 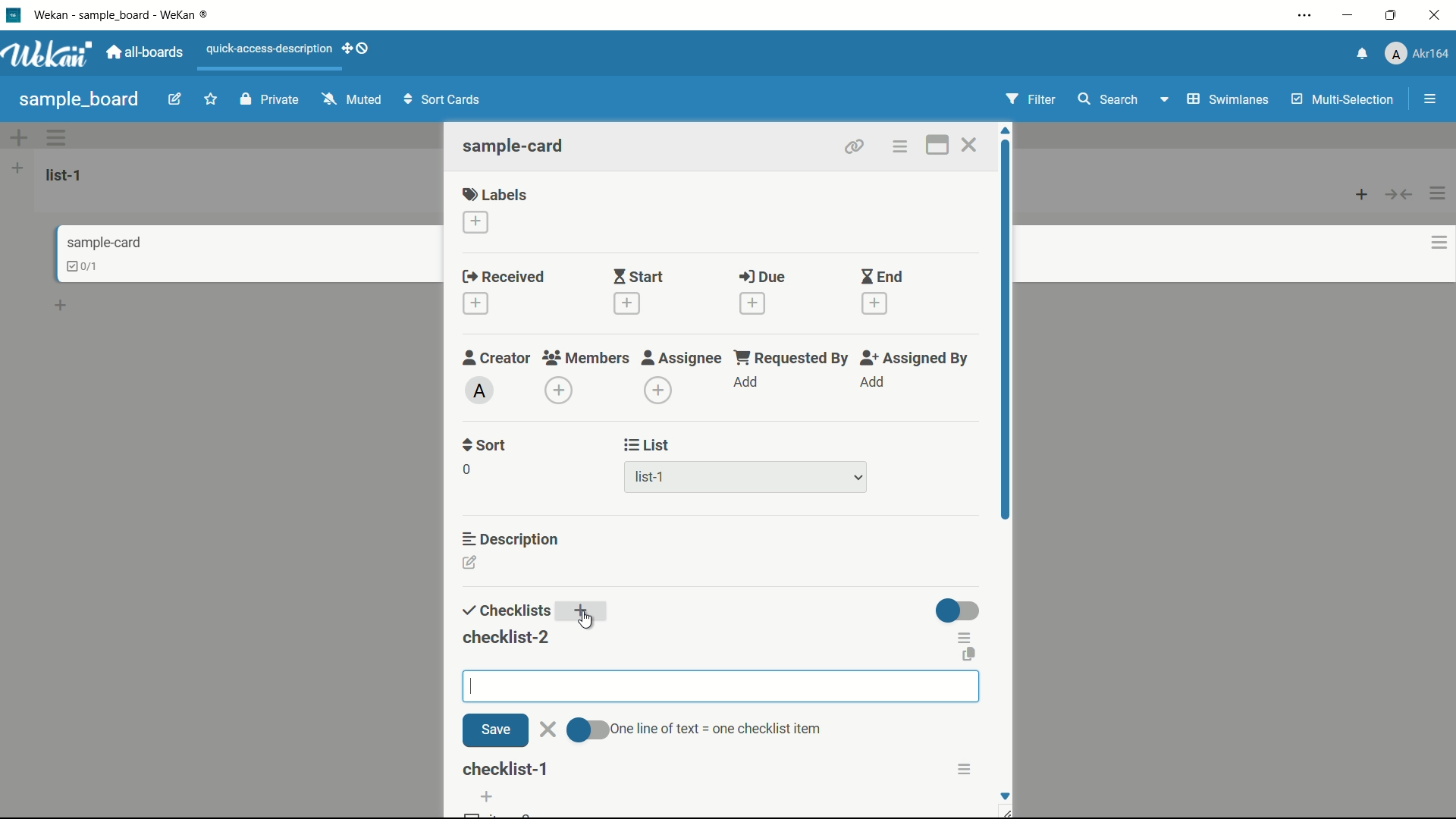 What do you see at coordinates (1106, 99) in the screenshot?
I see `search` at bounding box center [1106, 99].